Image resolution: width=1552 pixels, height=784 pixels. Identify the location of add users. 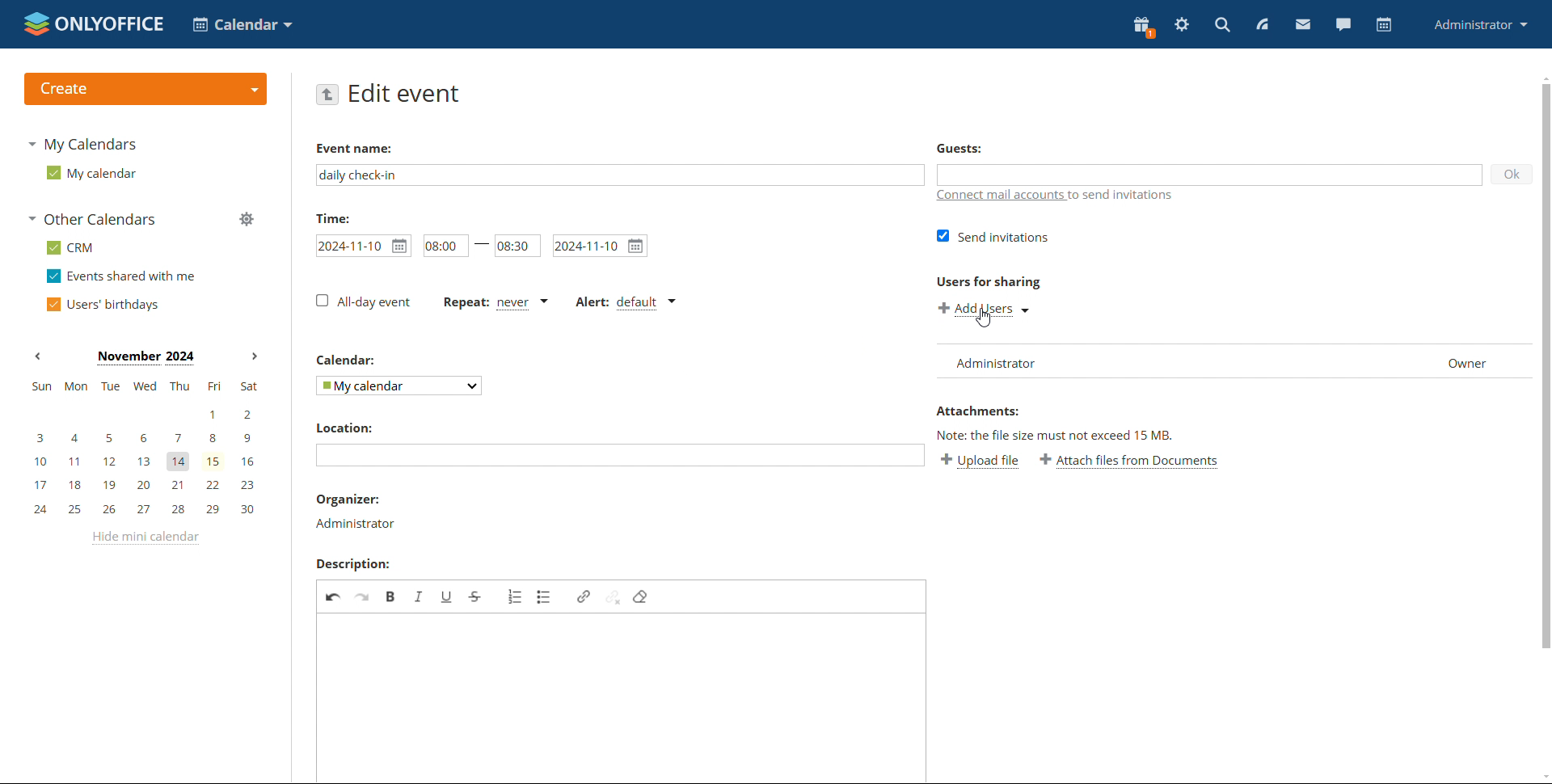
(986, 309).